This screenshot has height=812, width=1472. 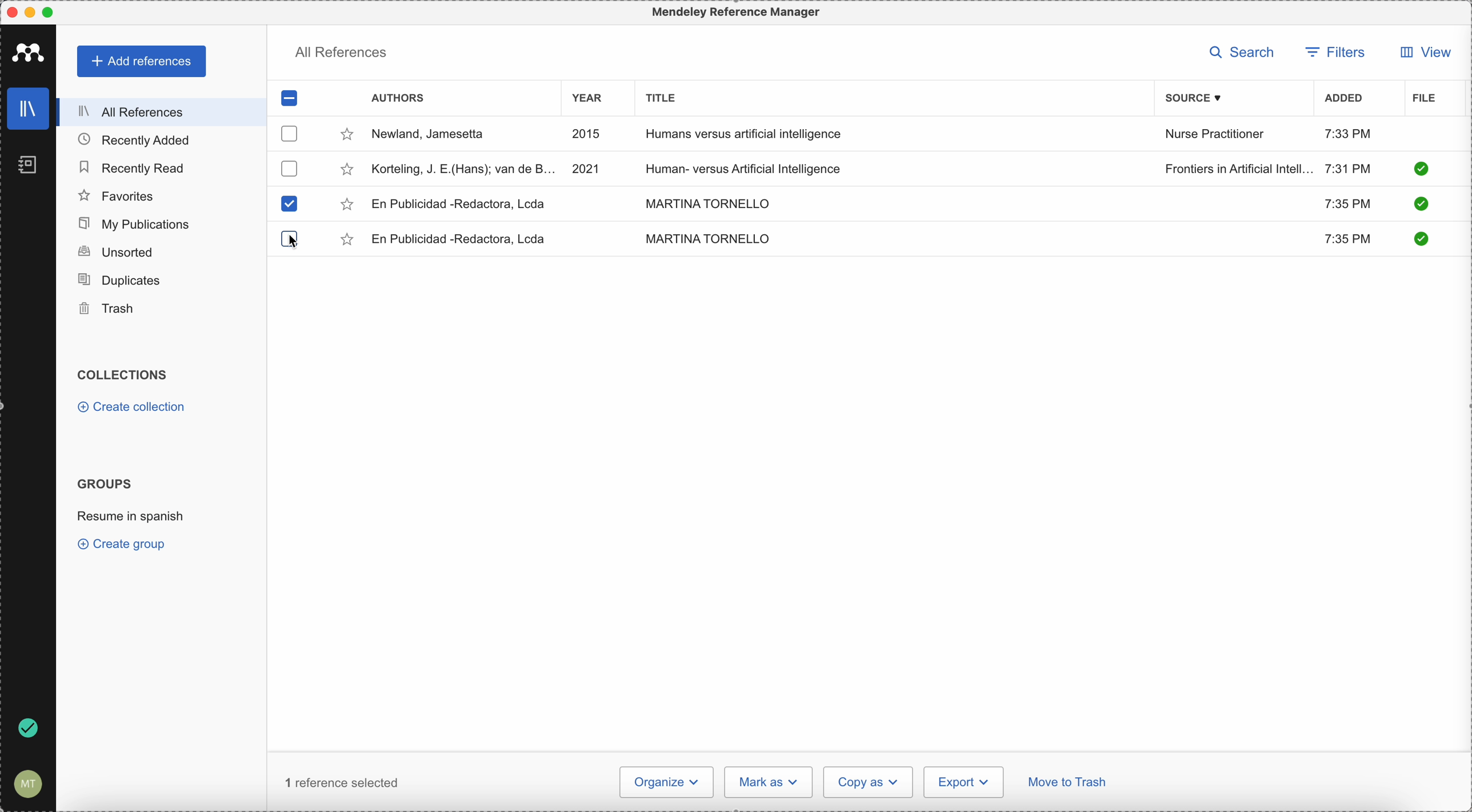 I want to click on minimize, so click(x=33, y=13).